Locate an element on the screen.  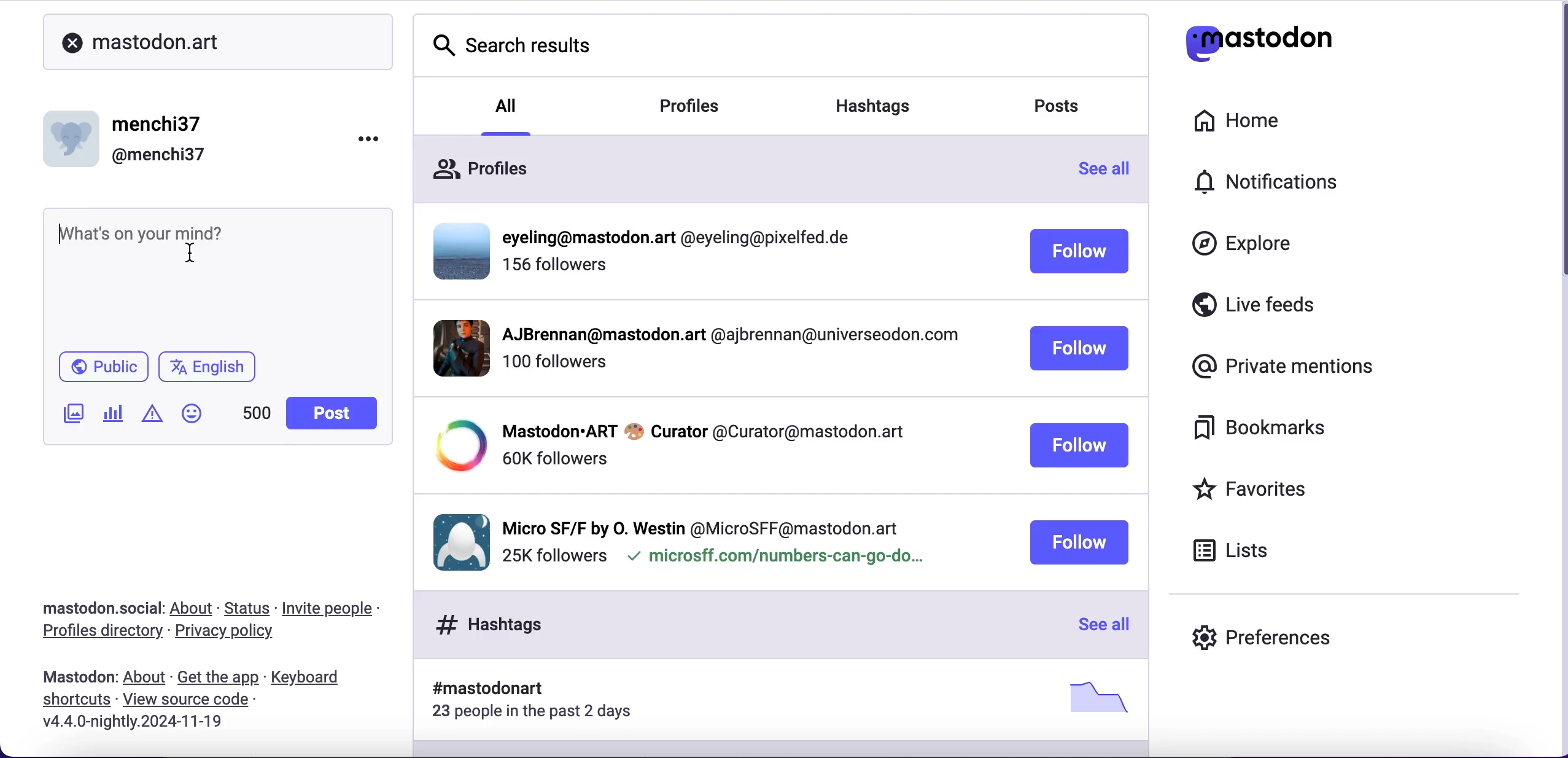
mastodon.art is located at coordinates (195, 42).